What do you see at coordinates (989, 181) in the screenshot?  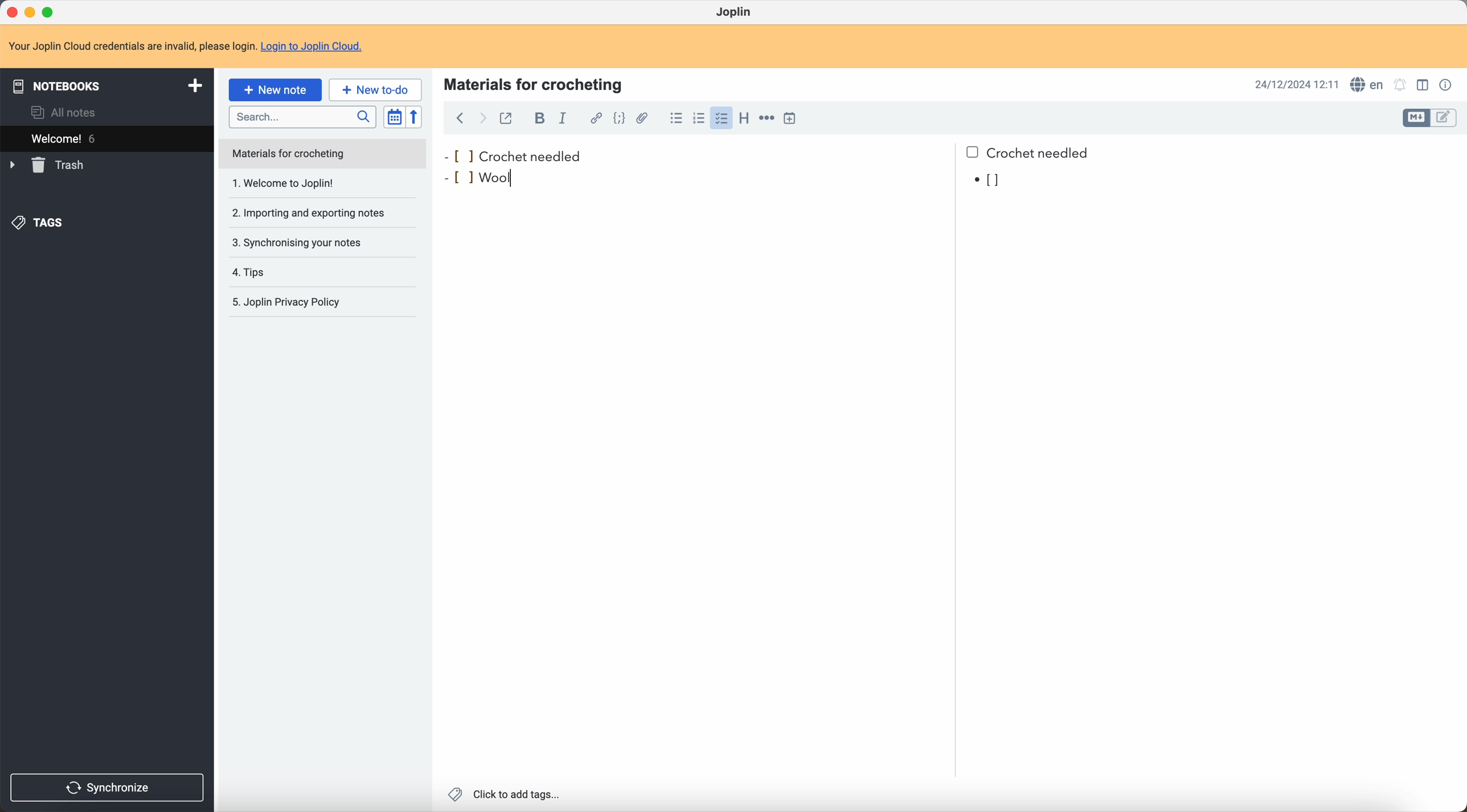 I see `bullet point` at bounding box center [989, 181].